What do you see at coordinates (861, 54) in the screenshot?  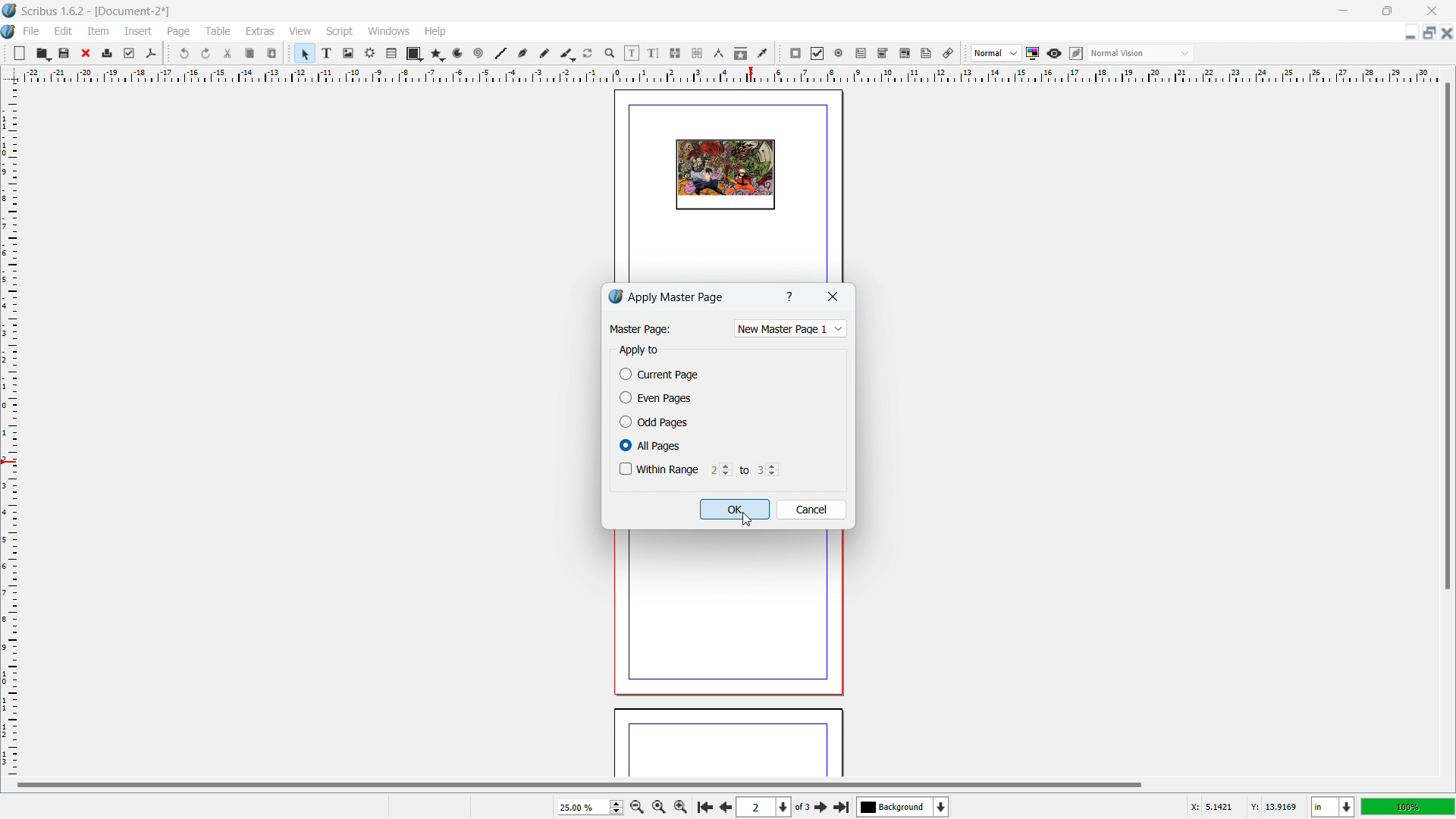 I see `pdf text field` at bounding box center [861, 54].